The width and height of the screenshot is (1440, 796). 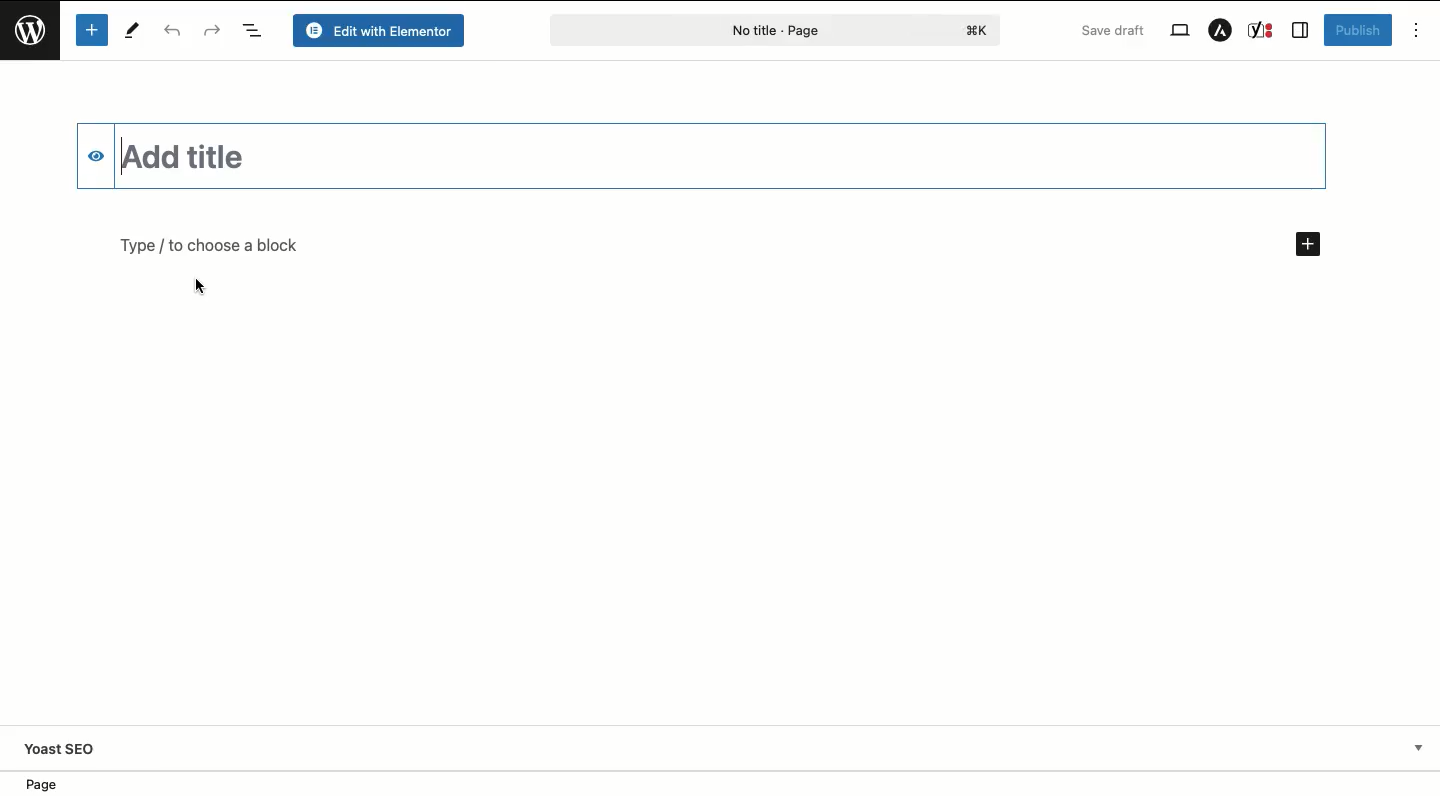 What do you see at coordinates (63, 748) in the screenshot?
I see `Yoast SEO` at bounding box center [63, 748].